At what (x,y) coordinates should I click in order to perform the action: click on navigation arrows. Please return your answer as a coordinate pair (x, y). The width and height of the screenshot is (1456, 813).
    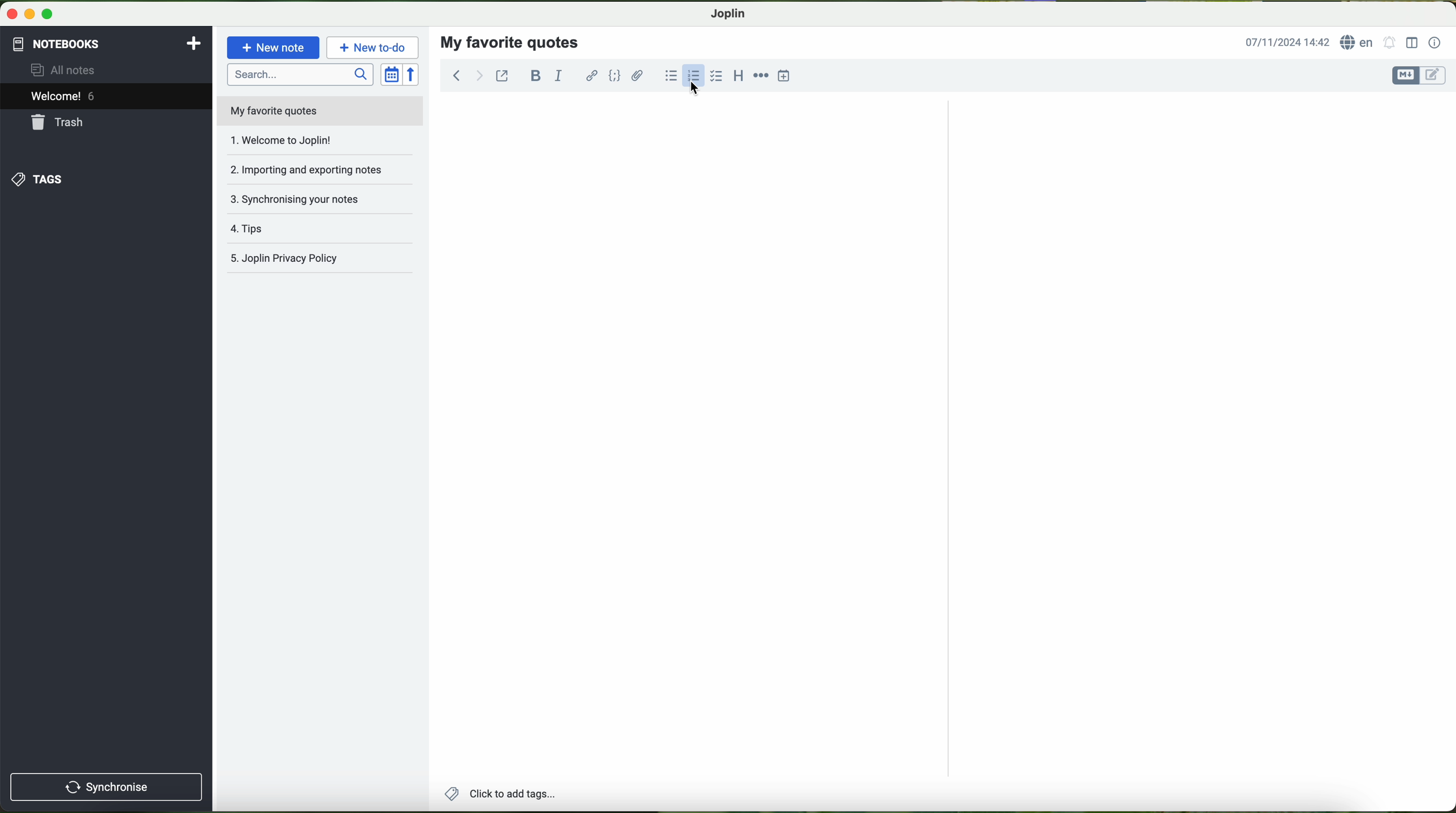
    Looking at the image, I should click on (463, 75).